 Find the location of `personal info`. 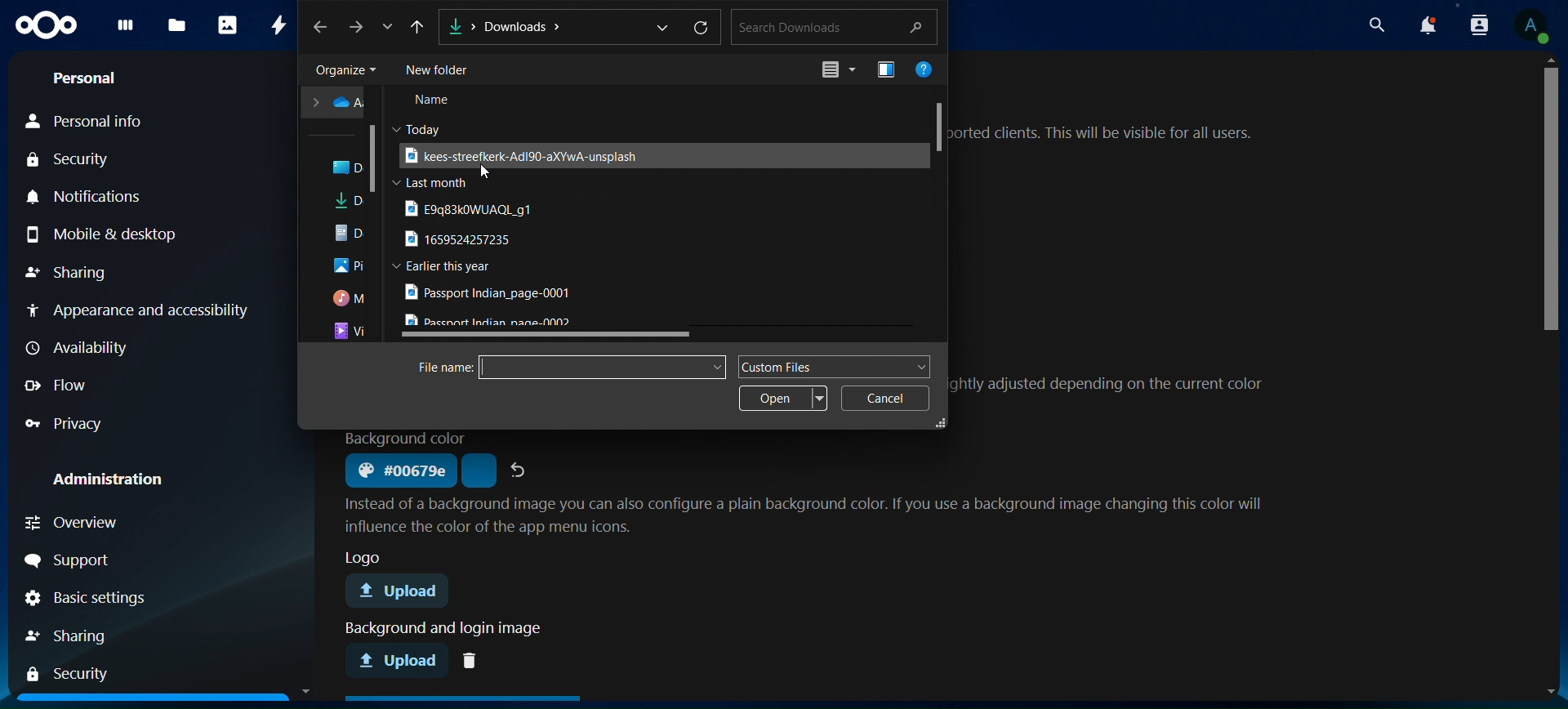

personal info is located at coordinates (96, 119).